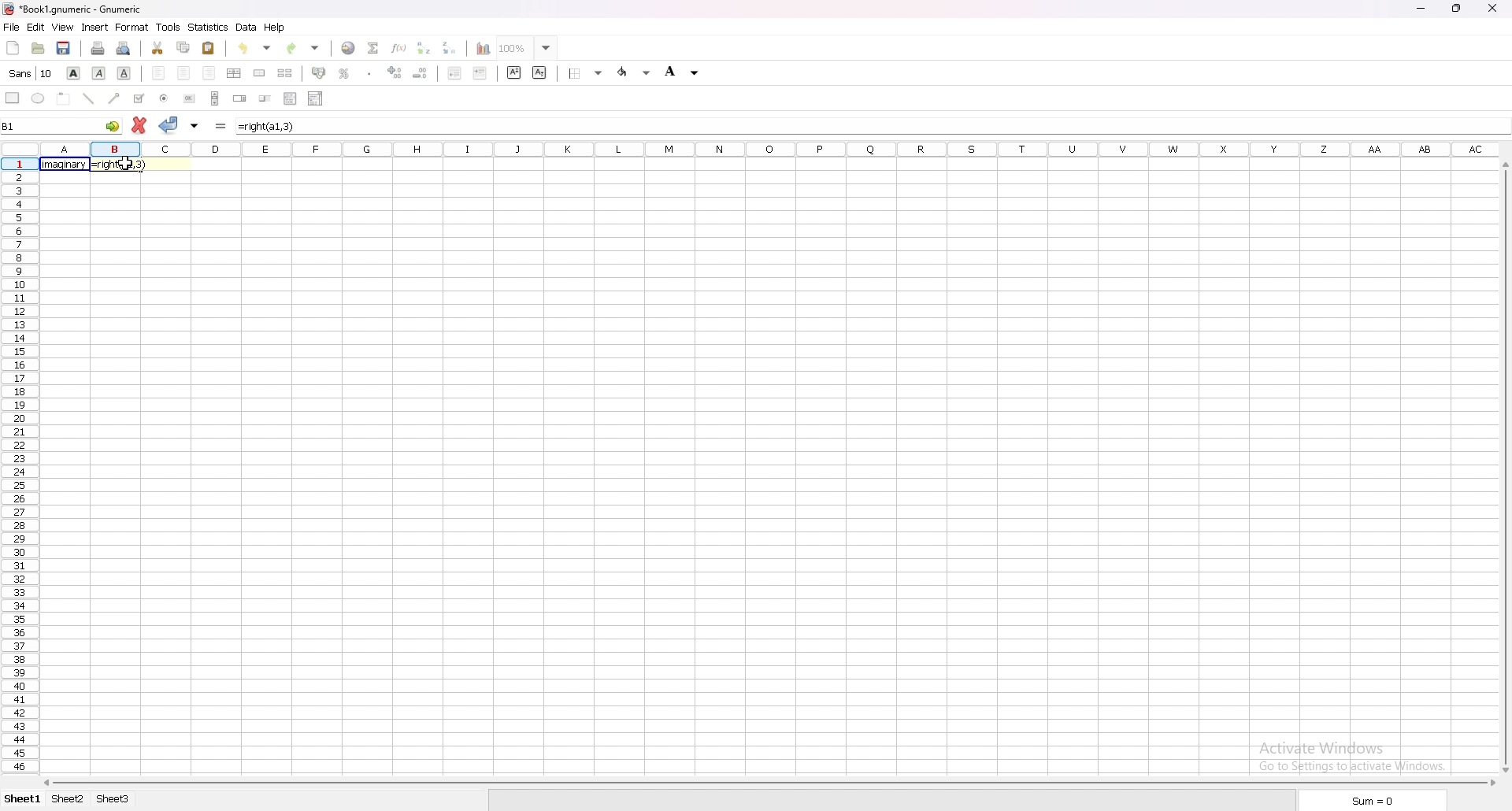  Describe the element at coordinates (39, 47) in the screenshot. I see `open` at that location.